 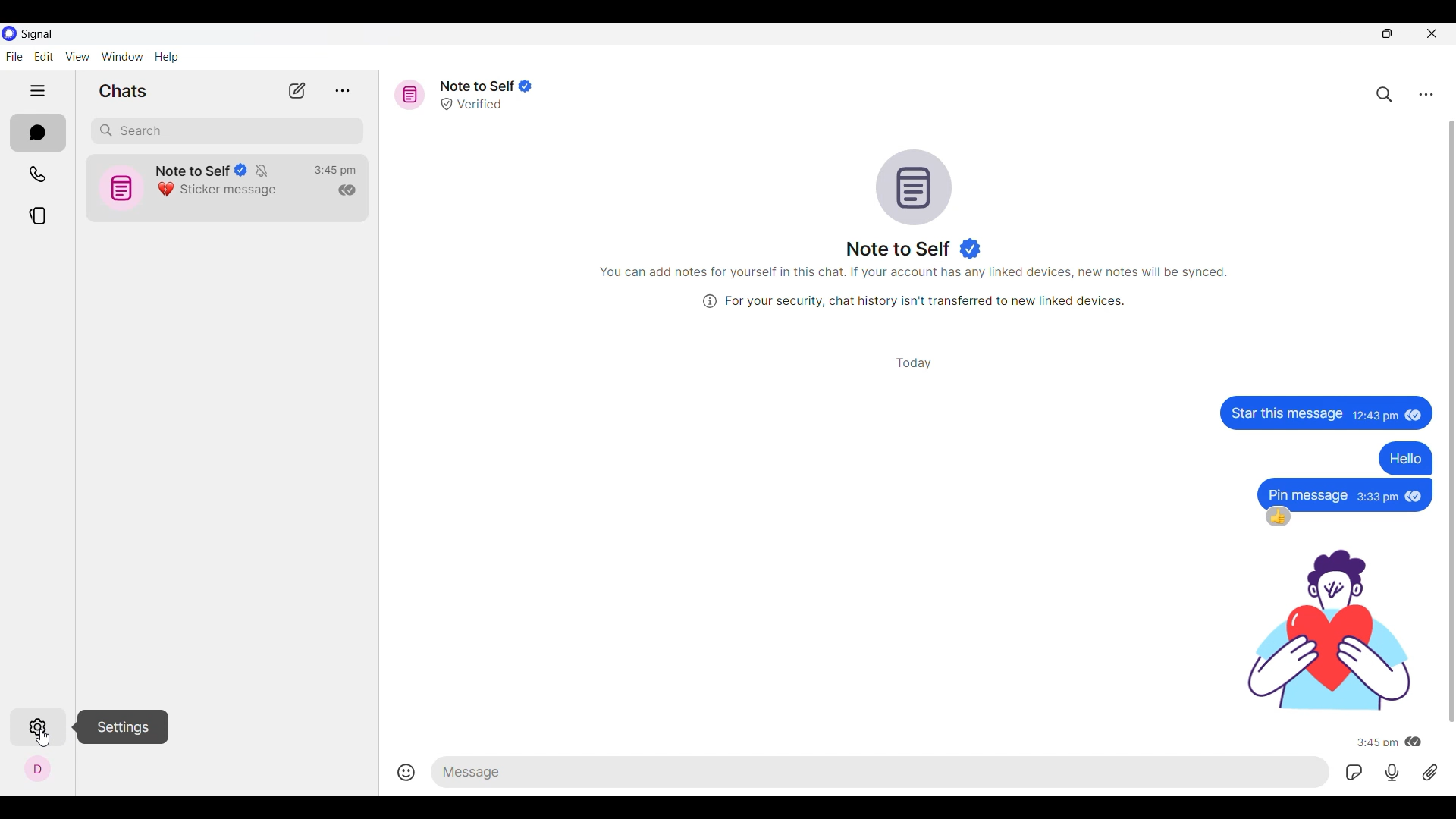 I want to click on Time of last conversation, so click(x=335, y=171).